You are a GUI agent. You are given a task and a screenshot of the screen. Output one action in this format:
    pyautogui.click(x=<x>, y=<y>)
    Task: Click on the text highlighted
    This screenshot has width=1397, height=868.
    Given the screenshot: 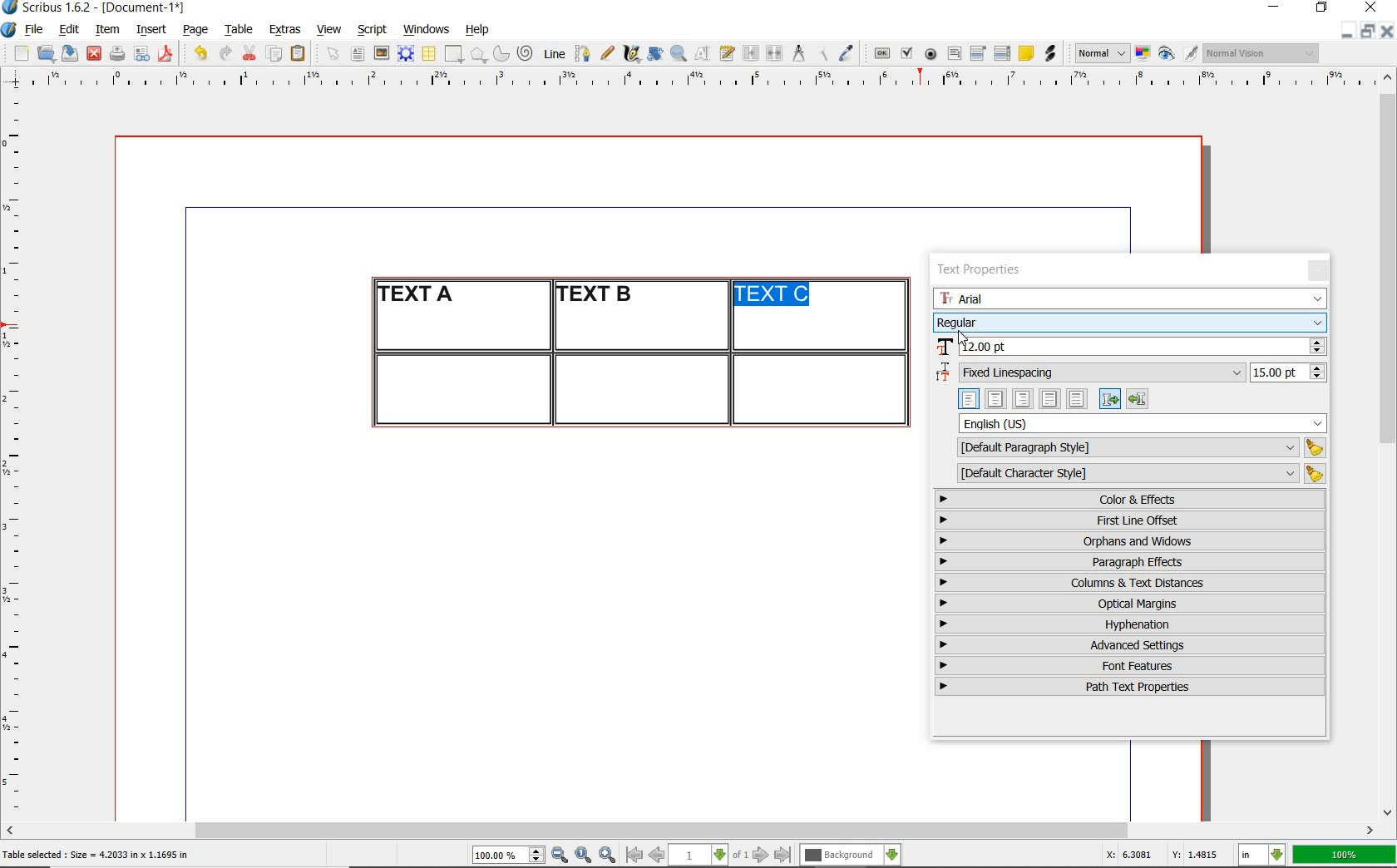 What is the action you would take?
    pyautogui.click(x=774, y=295)
    